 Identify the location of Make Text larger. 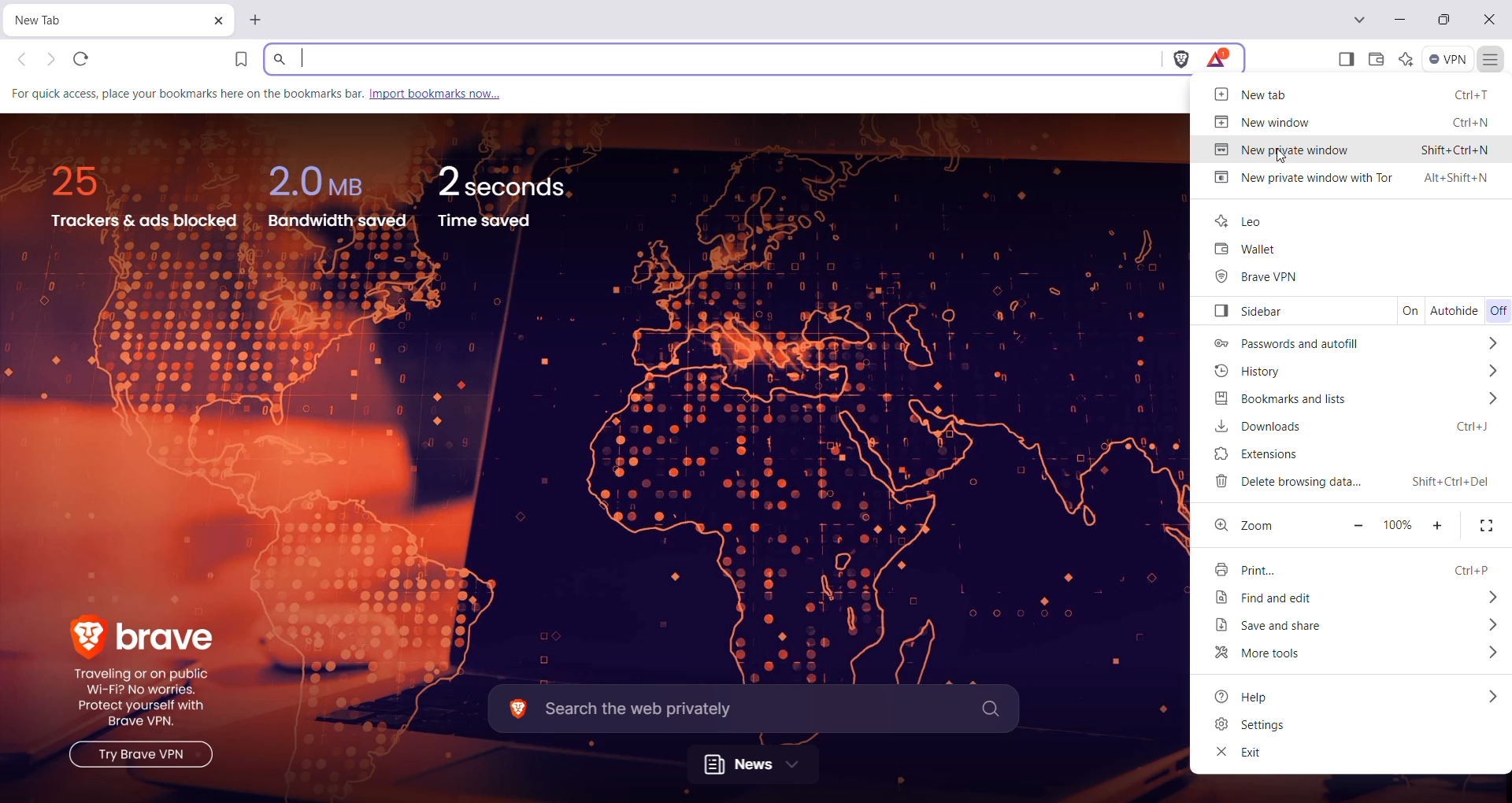
(1439, 525).